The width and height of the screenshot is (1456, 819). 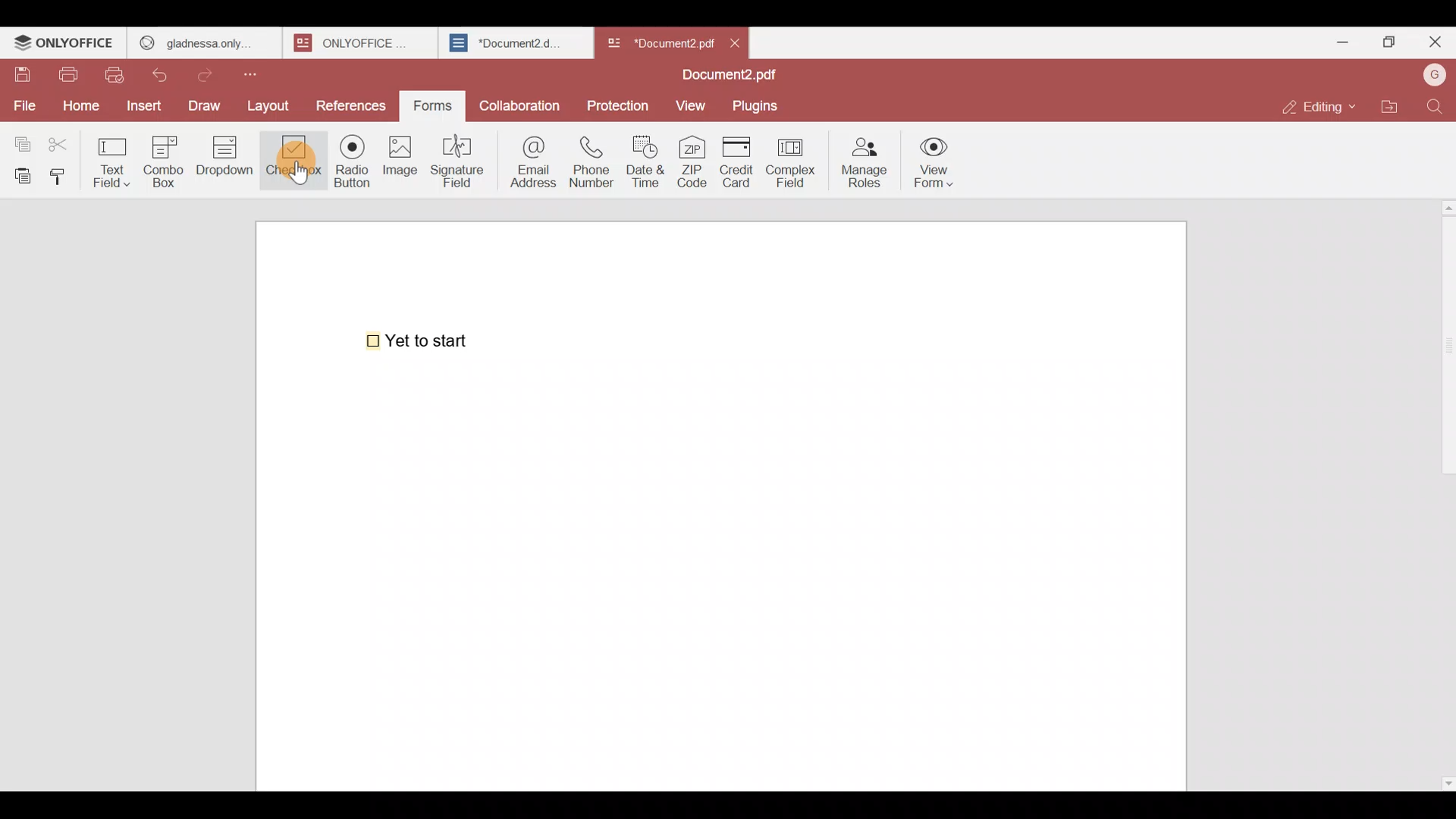 What do you see at coordinates (649, 162) in the screenshot?
I see `Date & time` at bounding box center [649, 162].